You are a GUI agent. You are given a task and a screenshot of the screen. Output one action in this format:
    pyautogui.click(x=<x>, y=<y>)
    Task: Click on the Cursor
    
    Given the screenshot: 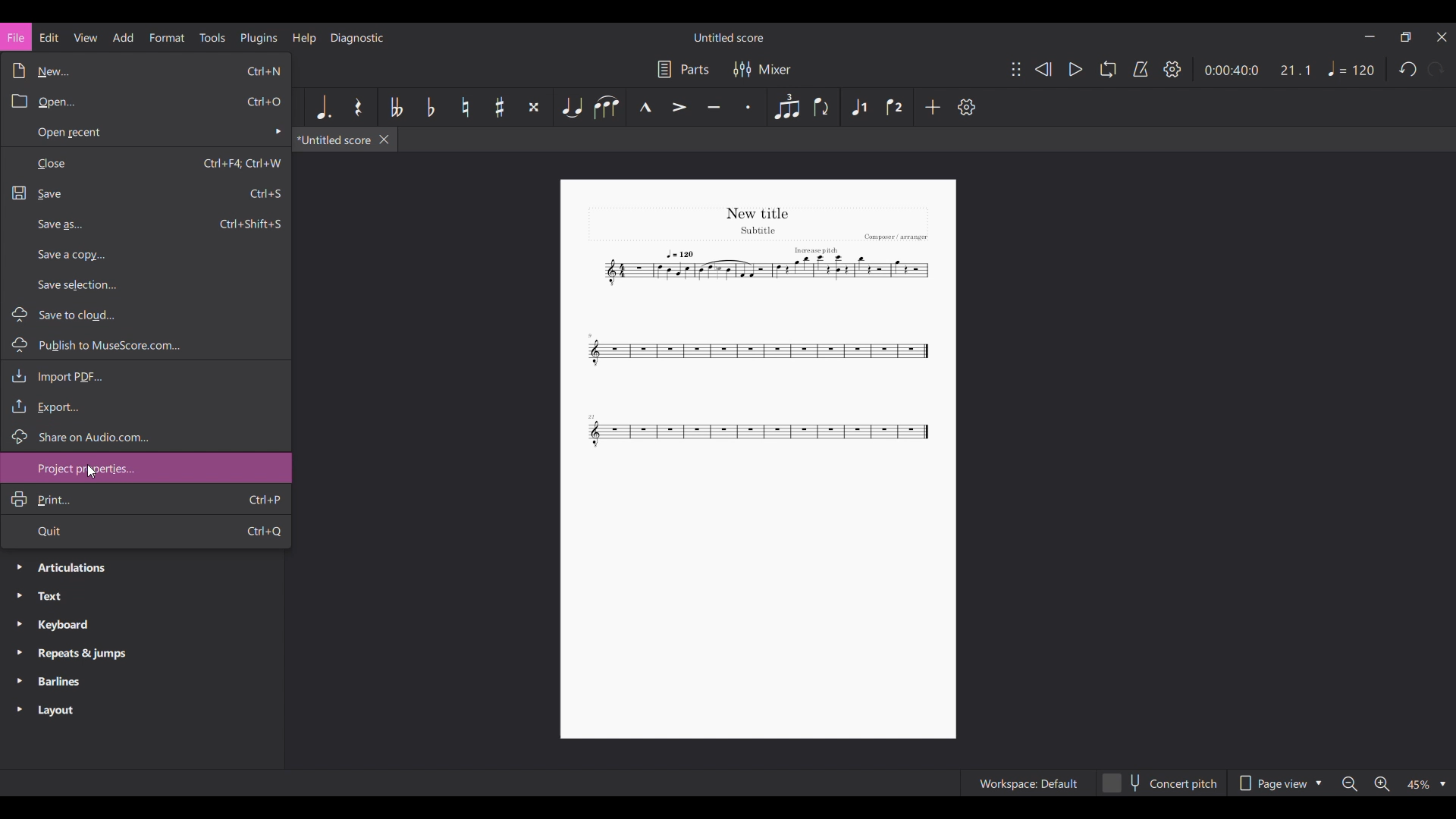 What is the action you would take?
    pyautogui.click(x=93, y=472)
    